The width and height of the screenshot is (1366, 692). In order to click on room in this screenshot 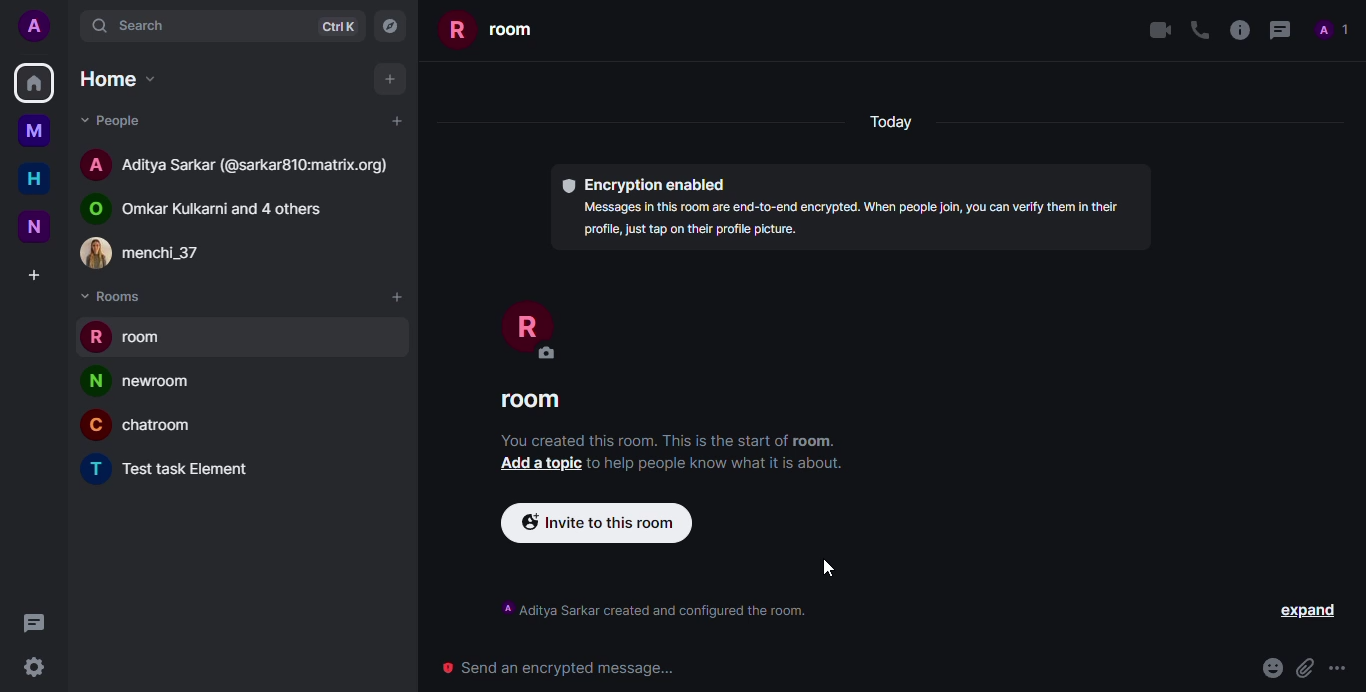, I will do `click(490, 29)`.